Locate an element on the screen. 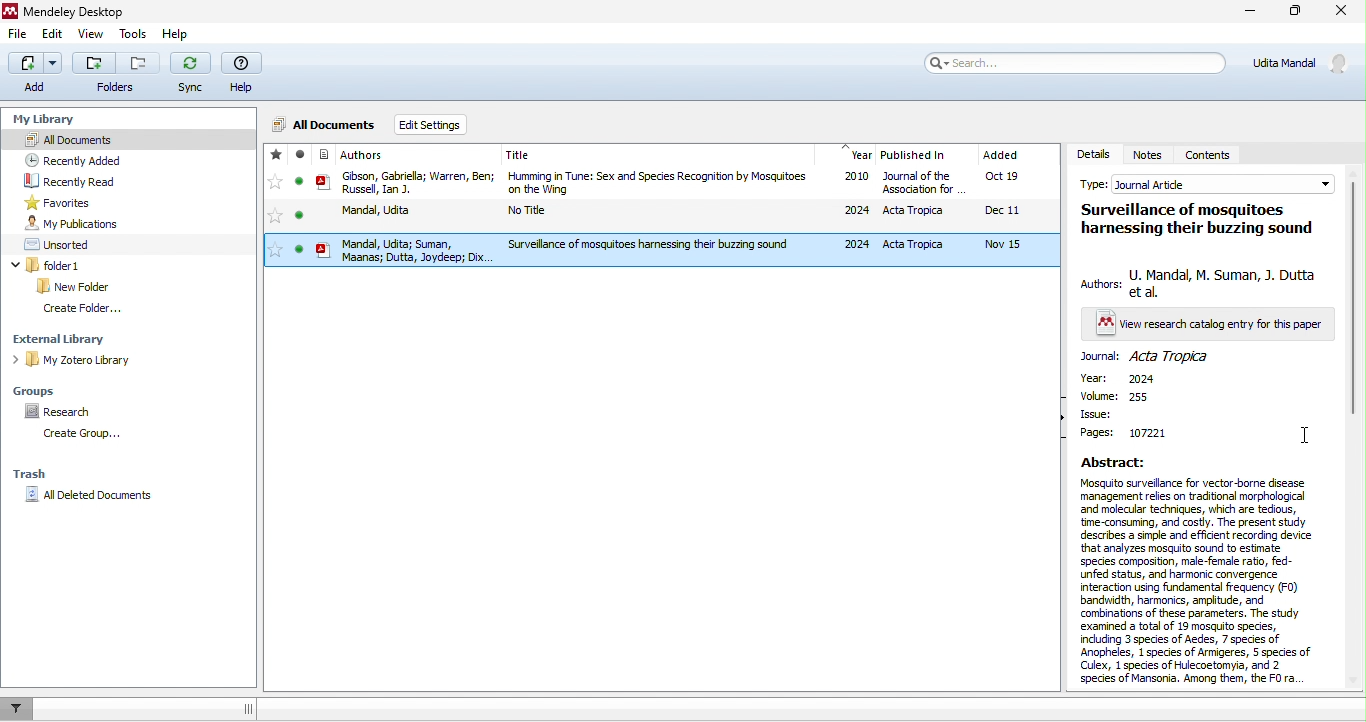  1 Authors: Us Mandal, M. Suman, J. Dutta
etal is located at coordinates (1201, 283).